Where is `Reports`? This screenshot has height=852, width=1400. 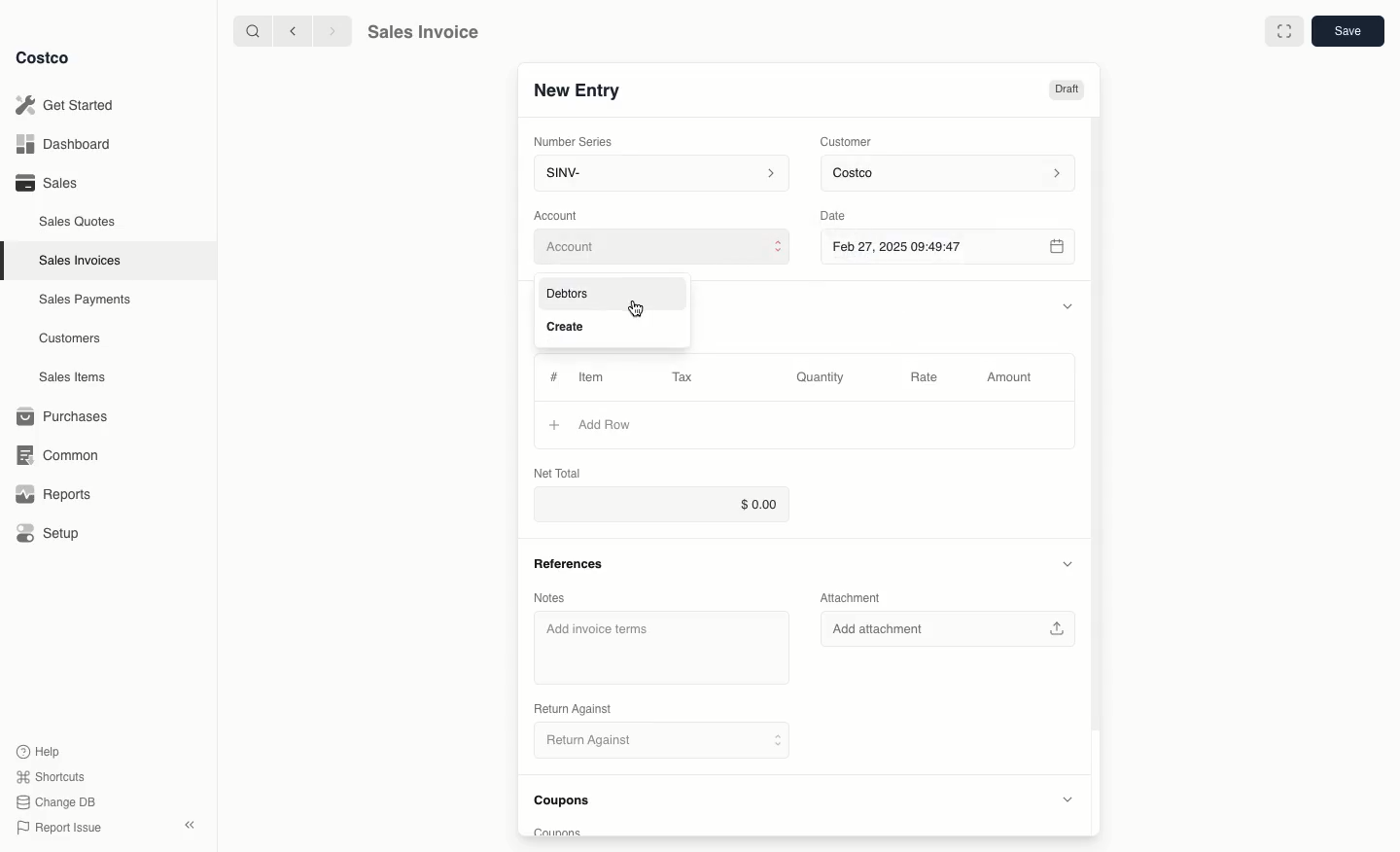 Reports is located at coordinates (51, 494).